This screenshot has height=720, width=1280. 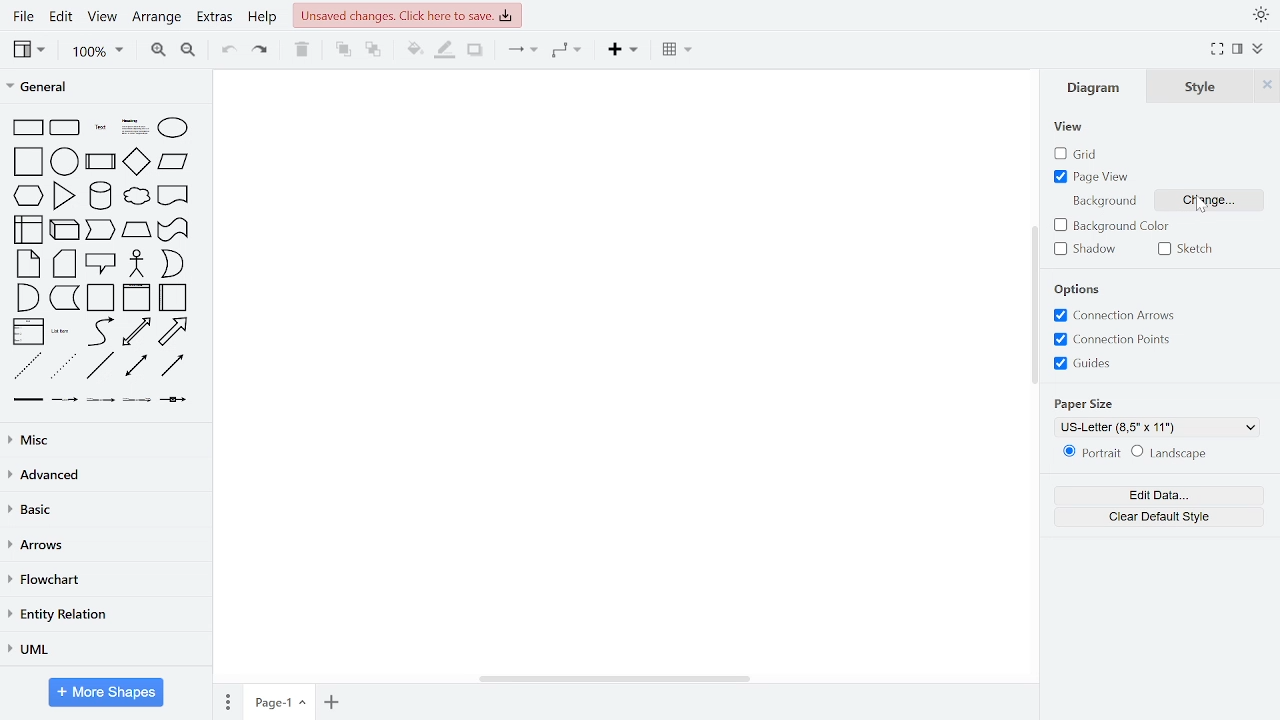 I want to click on general shapes, so click(x=133, y=365).